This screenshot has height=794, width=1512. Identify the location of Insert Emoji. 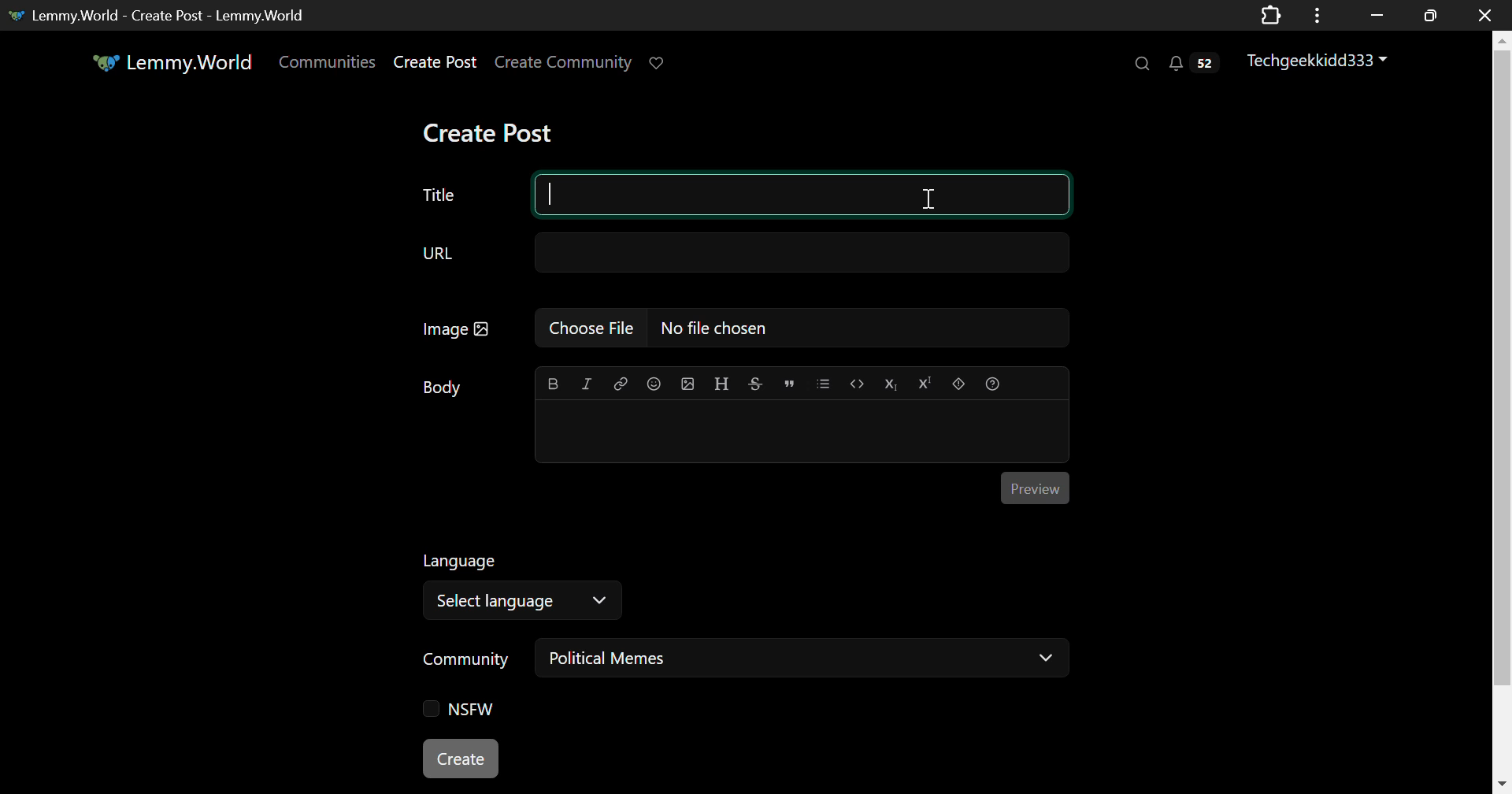
(654, 382).